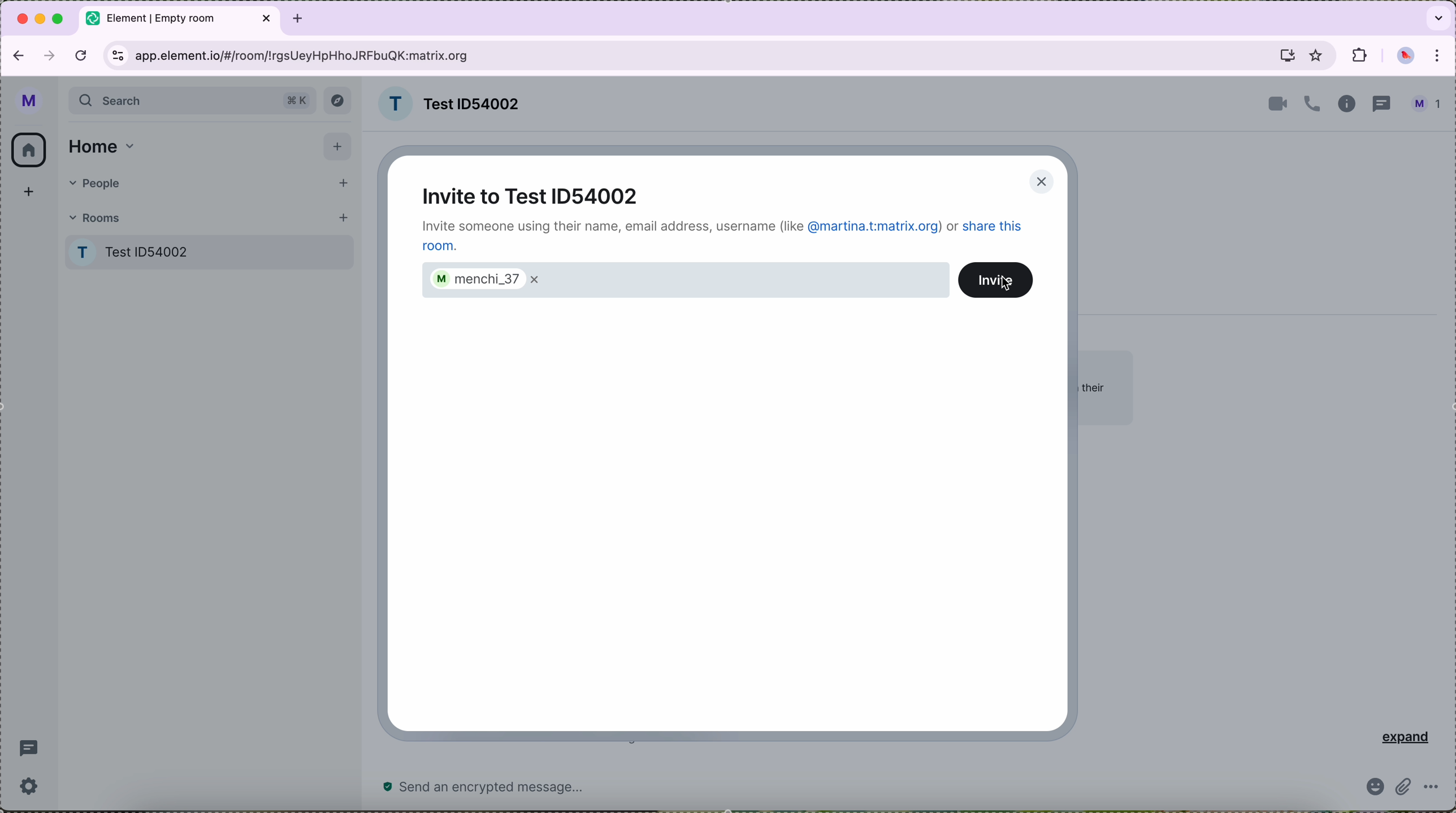  I want to click on close pop-up, so click(1037, 181).